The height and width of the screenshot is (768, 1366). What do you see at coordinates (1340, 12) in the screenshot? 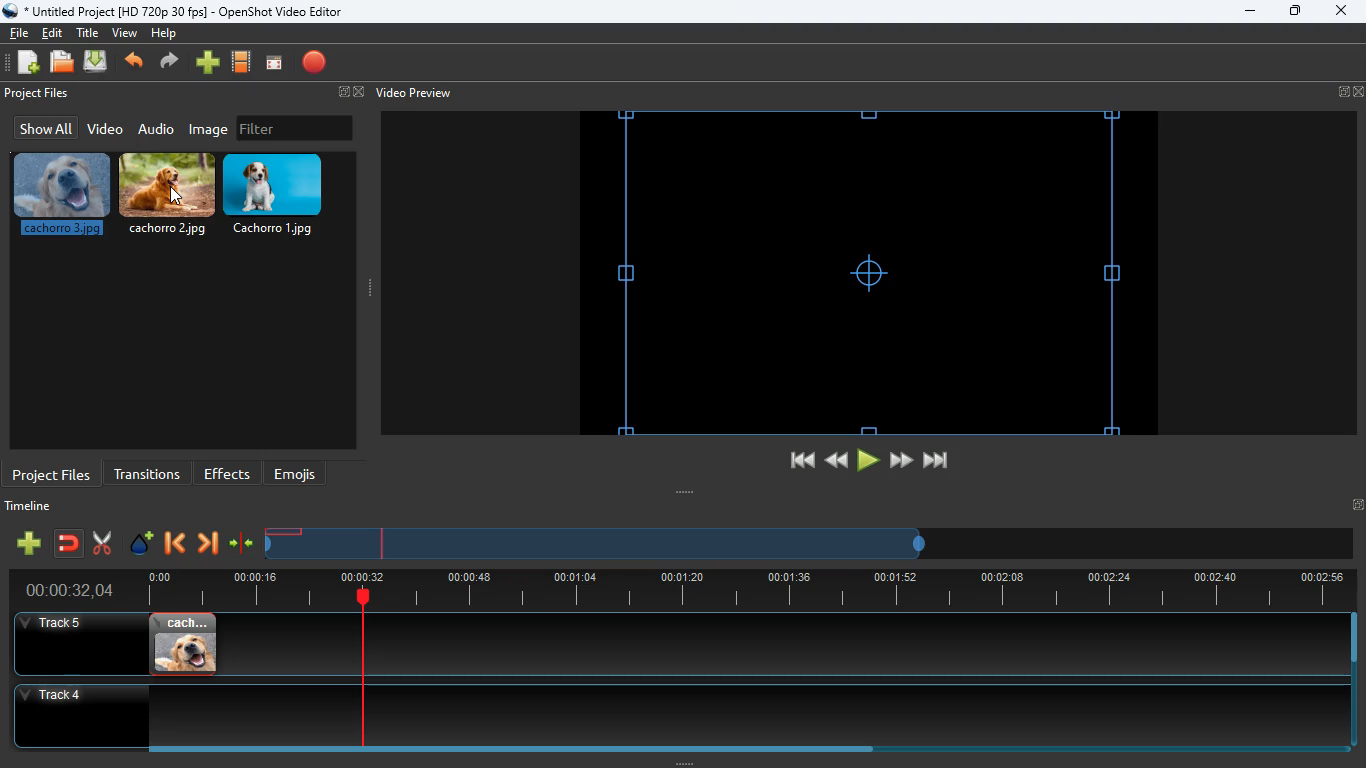
I see `close` at bounding box center [1340, 12].